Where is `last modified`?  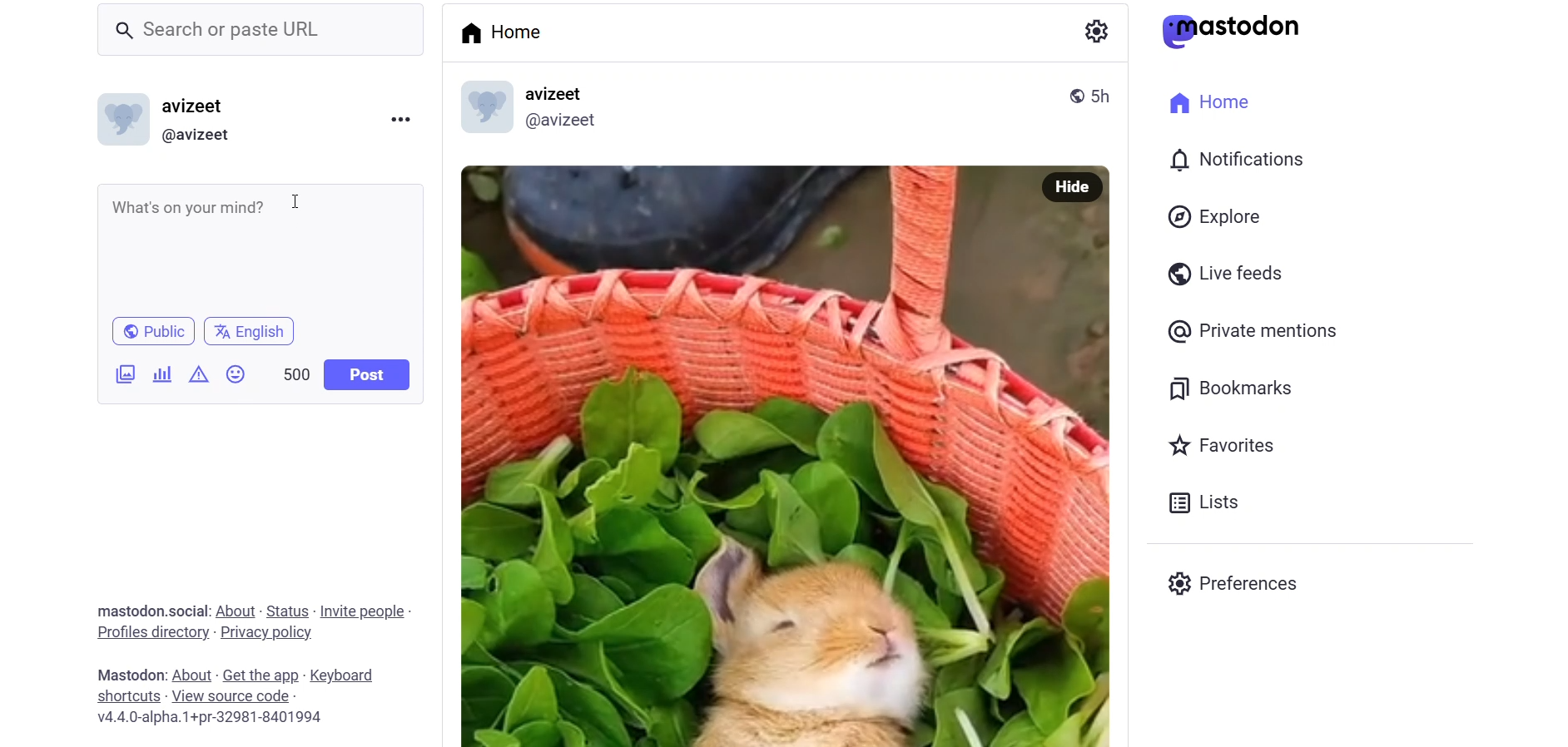
last modified is located at coordinates (1104, 95).